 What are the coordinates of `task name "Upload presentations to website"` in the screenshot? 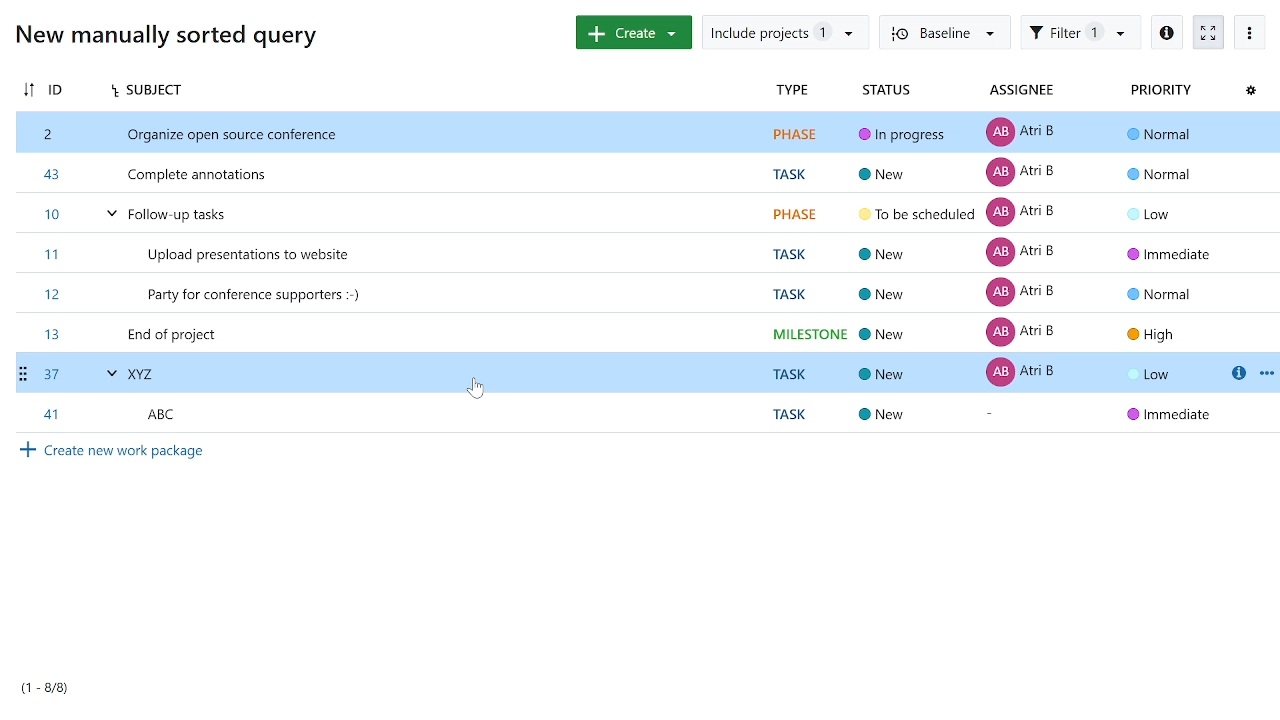 It's located at (644, 251).